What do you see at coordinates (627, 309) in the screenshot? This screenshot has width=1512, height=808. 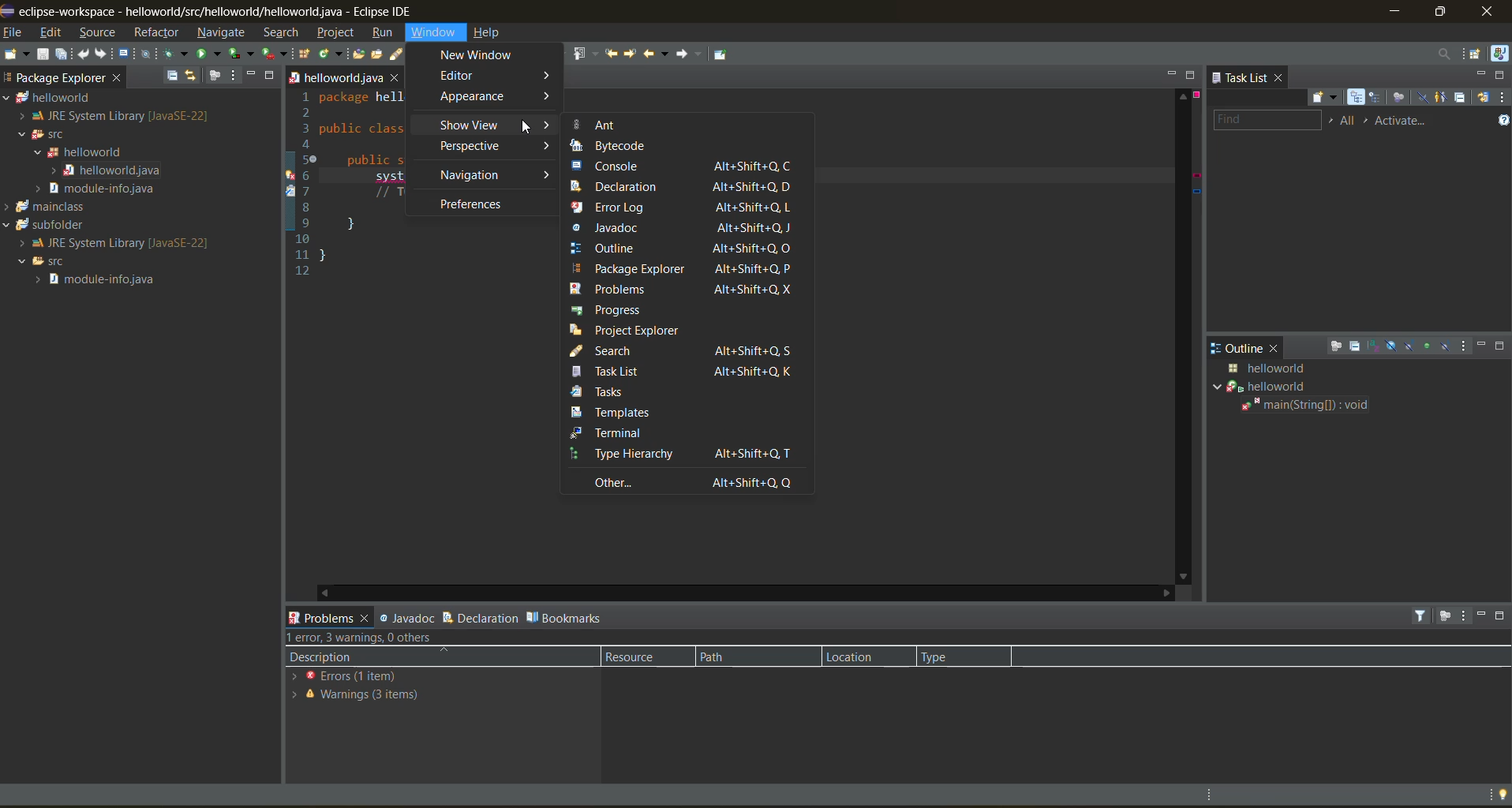 I see `progress` at bounding box center [627, 309].